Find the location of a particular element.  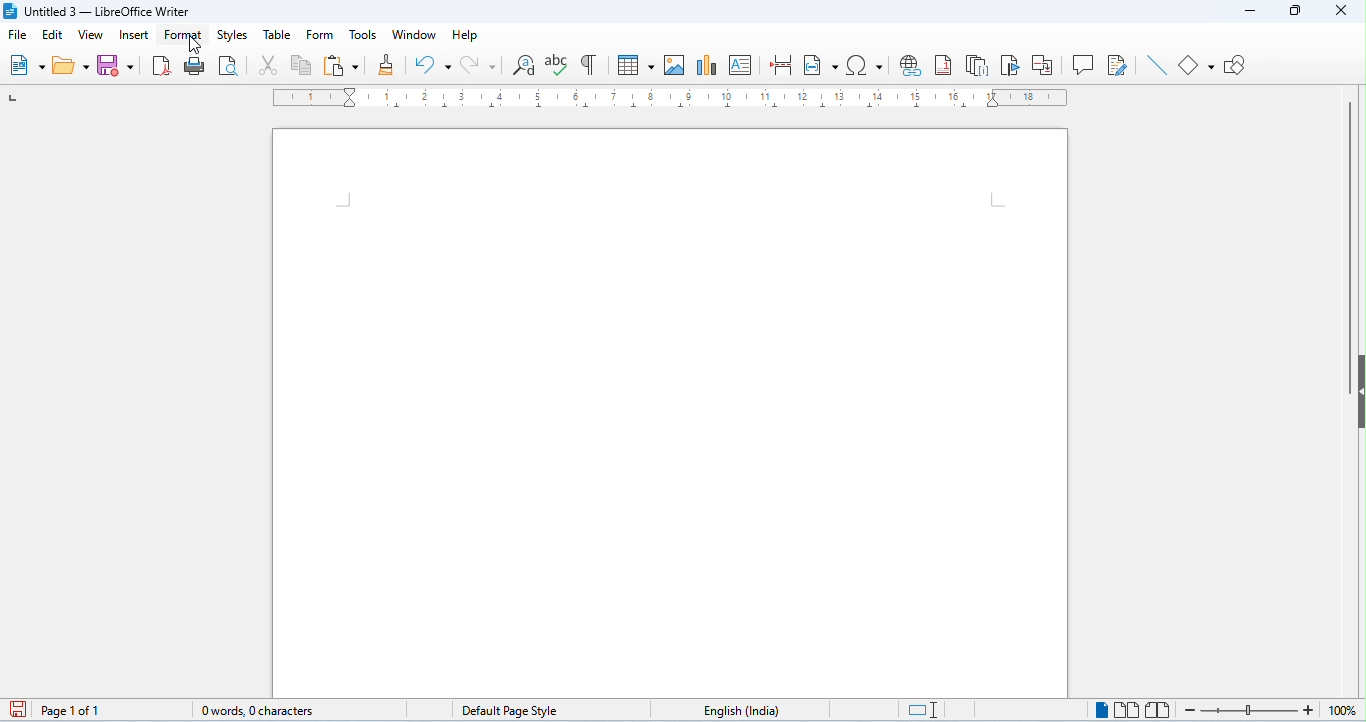

bookview is located at coordinates (1161, 710).